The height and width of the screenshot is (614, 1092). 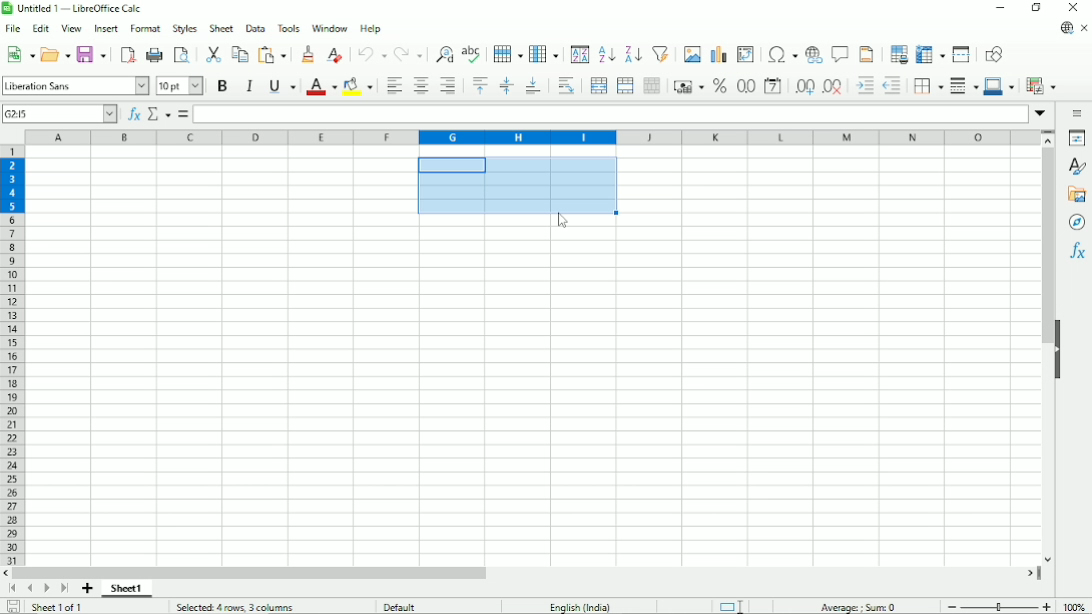 I want to click on Scroll to next sheet, so click(x=44, y=588).